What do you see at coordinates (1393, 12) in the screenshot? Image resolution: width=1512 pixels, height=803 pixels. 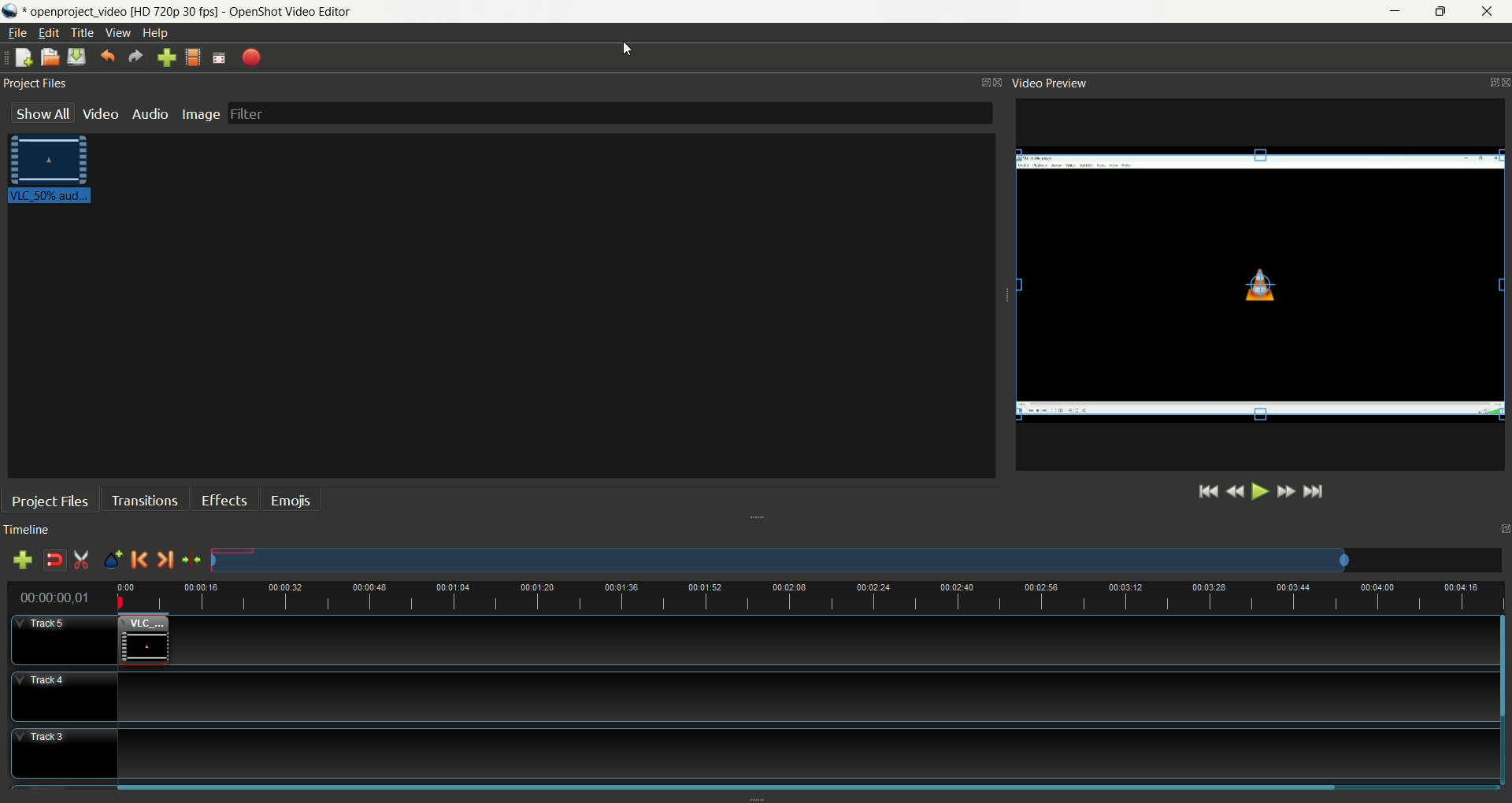 I see `minimize` at bounding box center [1393, 12].